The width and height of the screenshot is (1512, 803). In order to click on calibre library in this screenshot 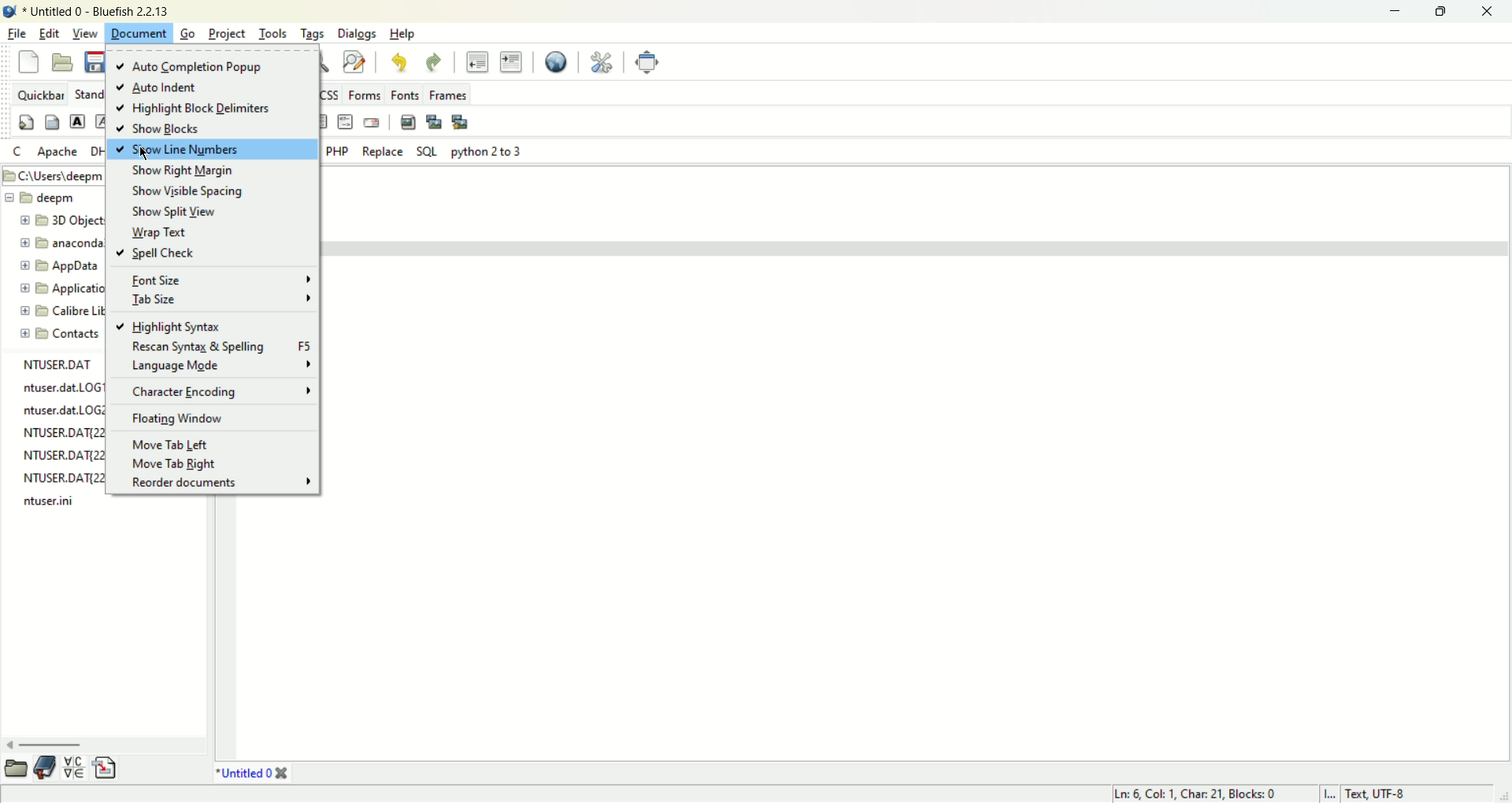, I will do `click(62, 313)`.